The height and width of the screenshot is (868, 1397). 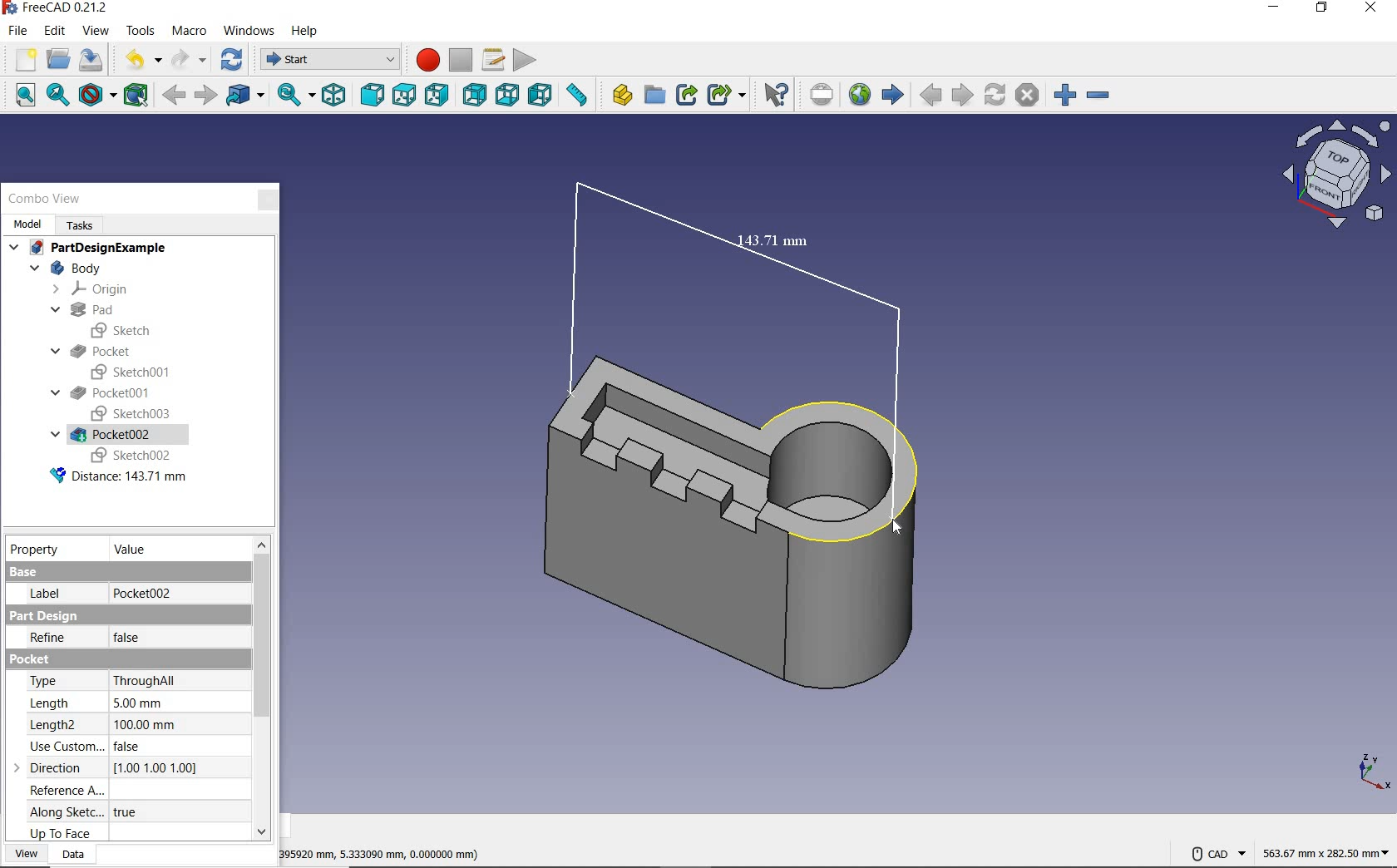 I want to click on value, so click(x=133, y=546).